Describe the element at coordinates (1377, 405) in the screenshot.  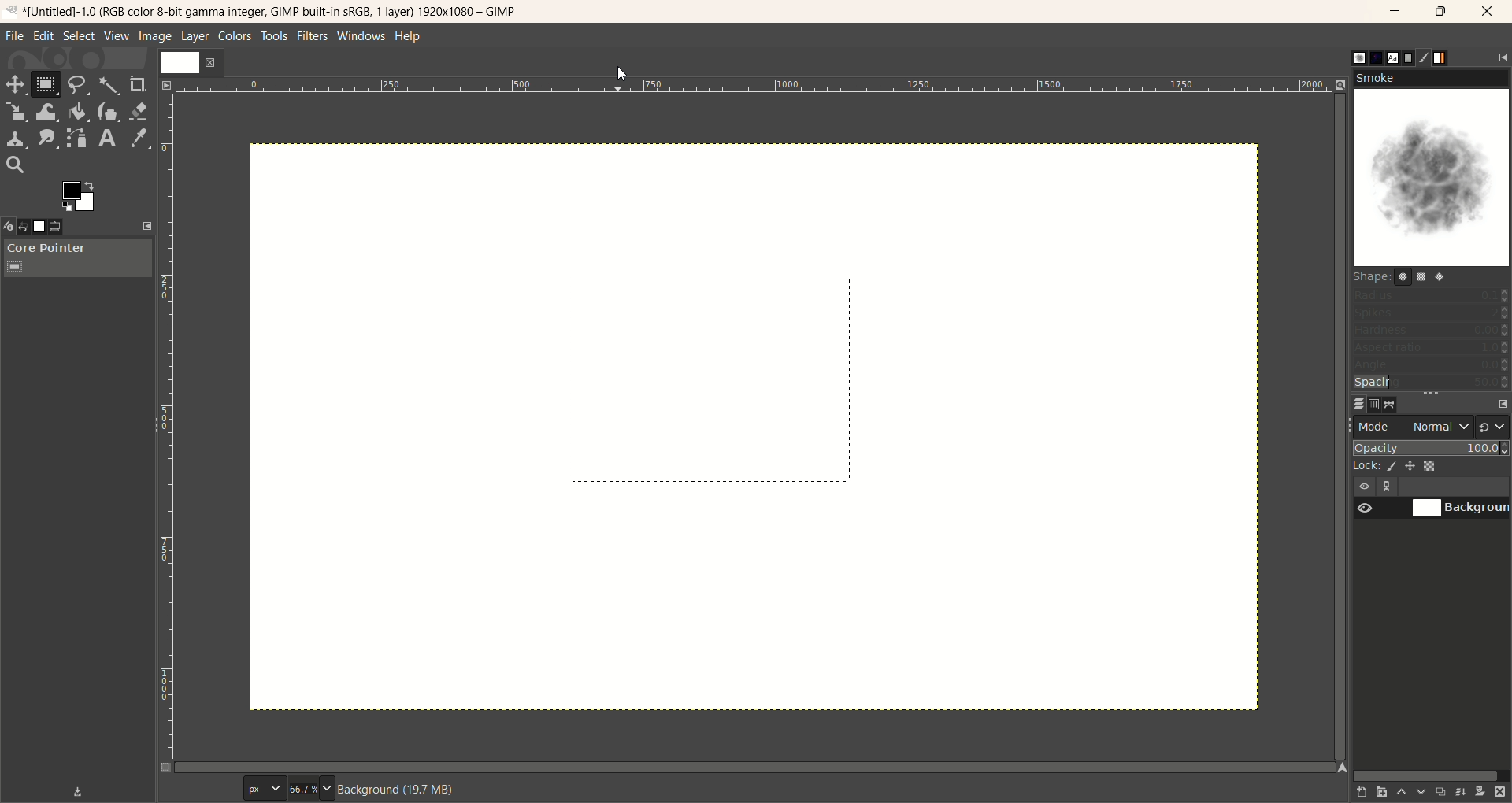
I see `channel` at that location.